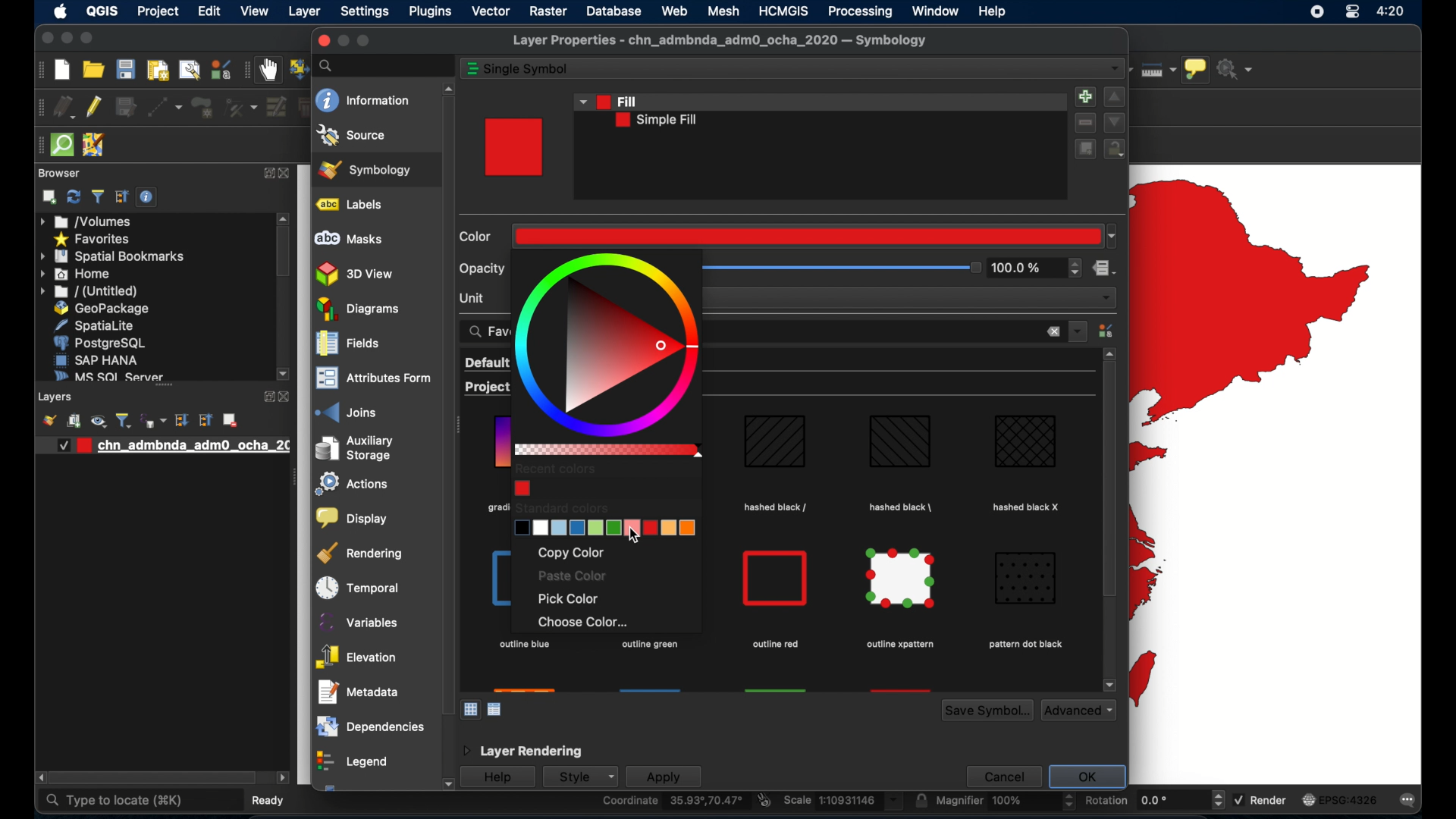 The image size is (1456, 819). Describe the element at coordinates (529, 69) in the screenshot. I see `single symbol` at that location.